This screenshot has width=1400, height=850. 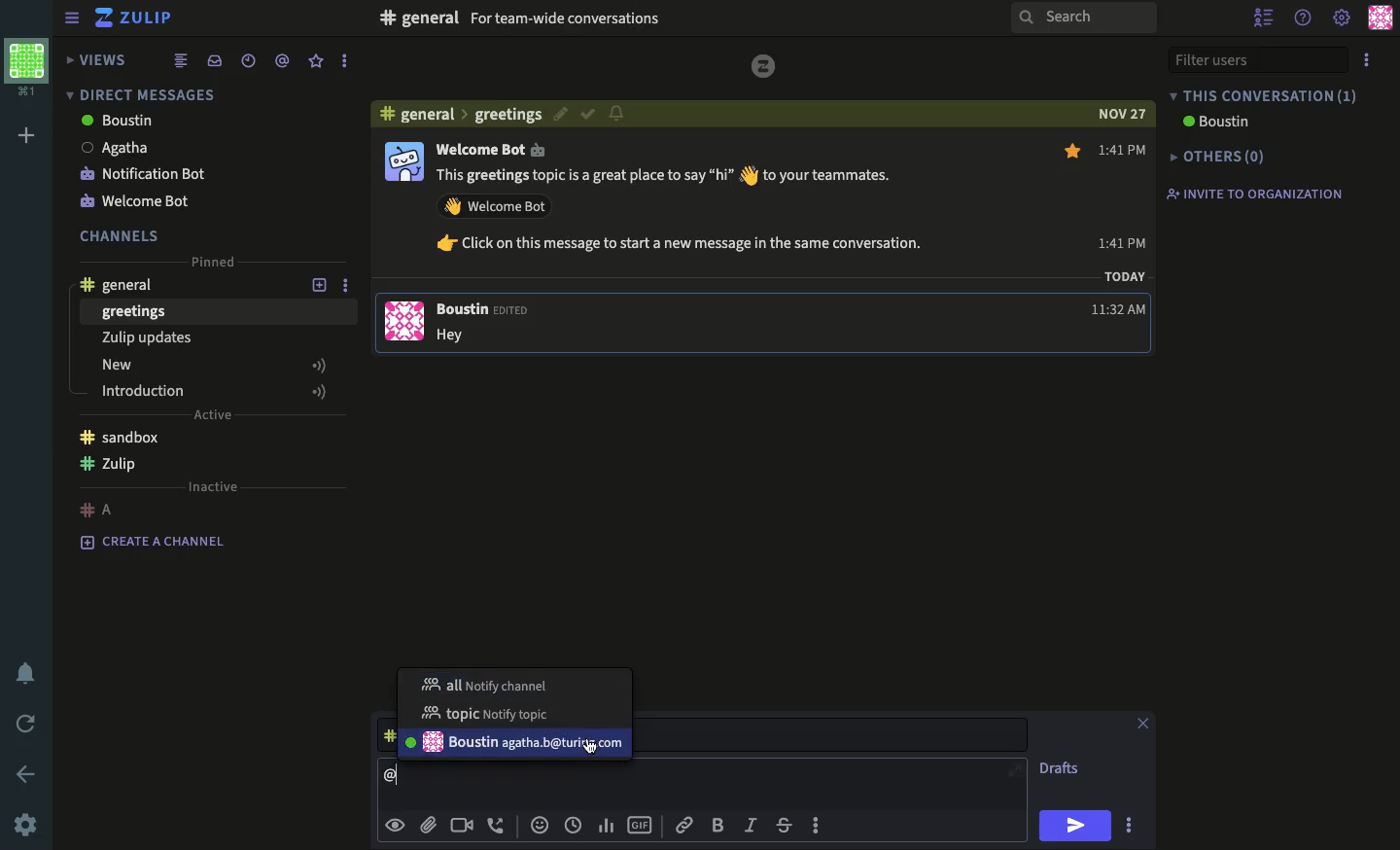 I want to click on NOV 27, so click(x=1125, y=115).